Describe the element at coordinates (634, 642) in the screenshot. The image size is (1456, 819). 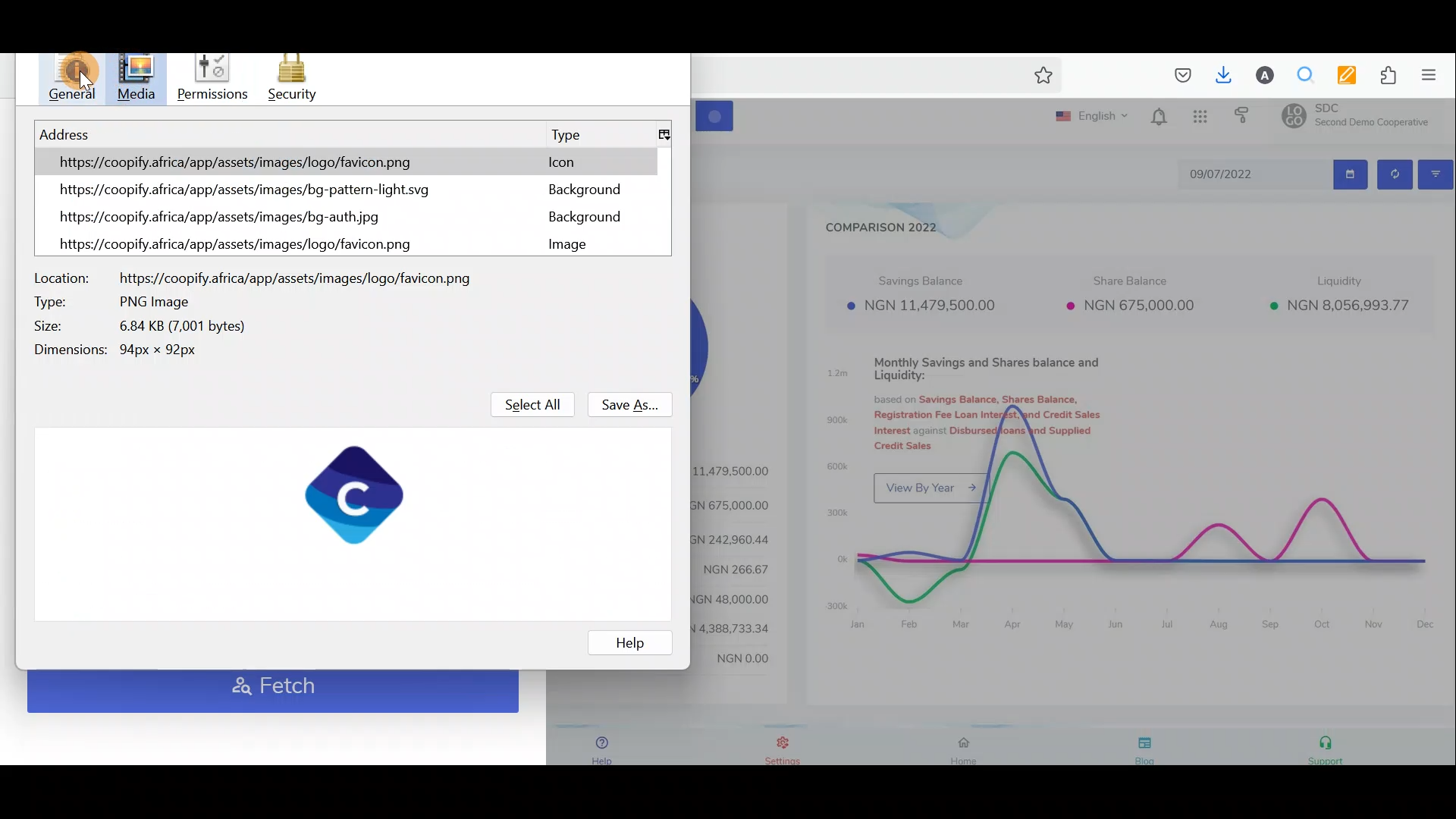
I see `Help` at that location.